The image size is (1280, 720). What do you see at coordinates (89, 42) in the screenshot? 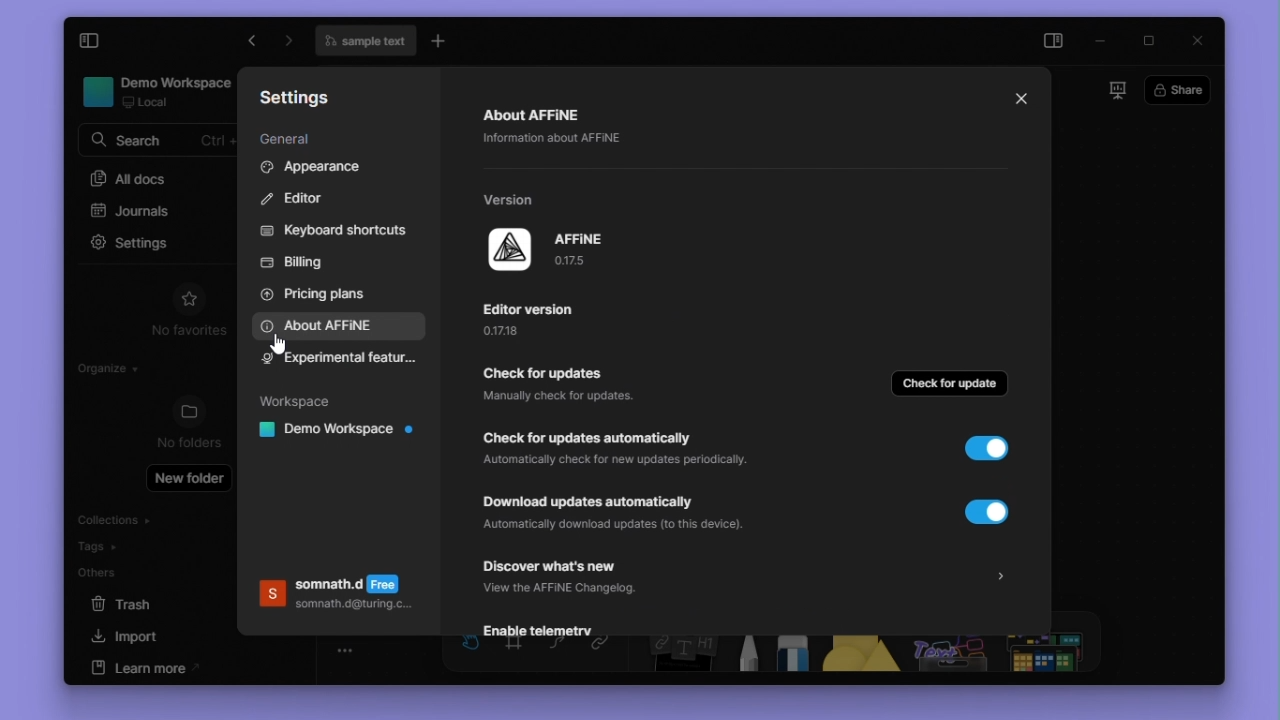
I see `Expand sodebar` at bounding box center [89, 42].